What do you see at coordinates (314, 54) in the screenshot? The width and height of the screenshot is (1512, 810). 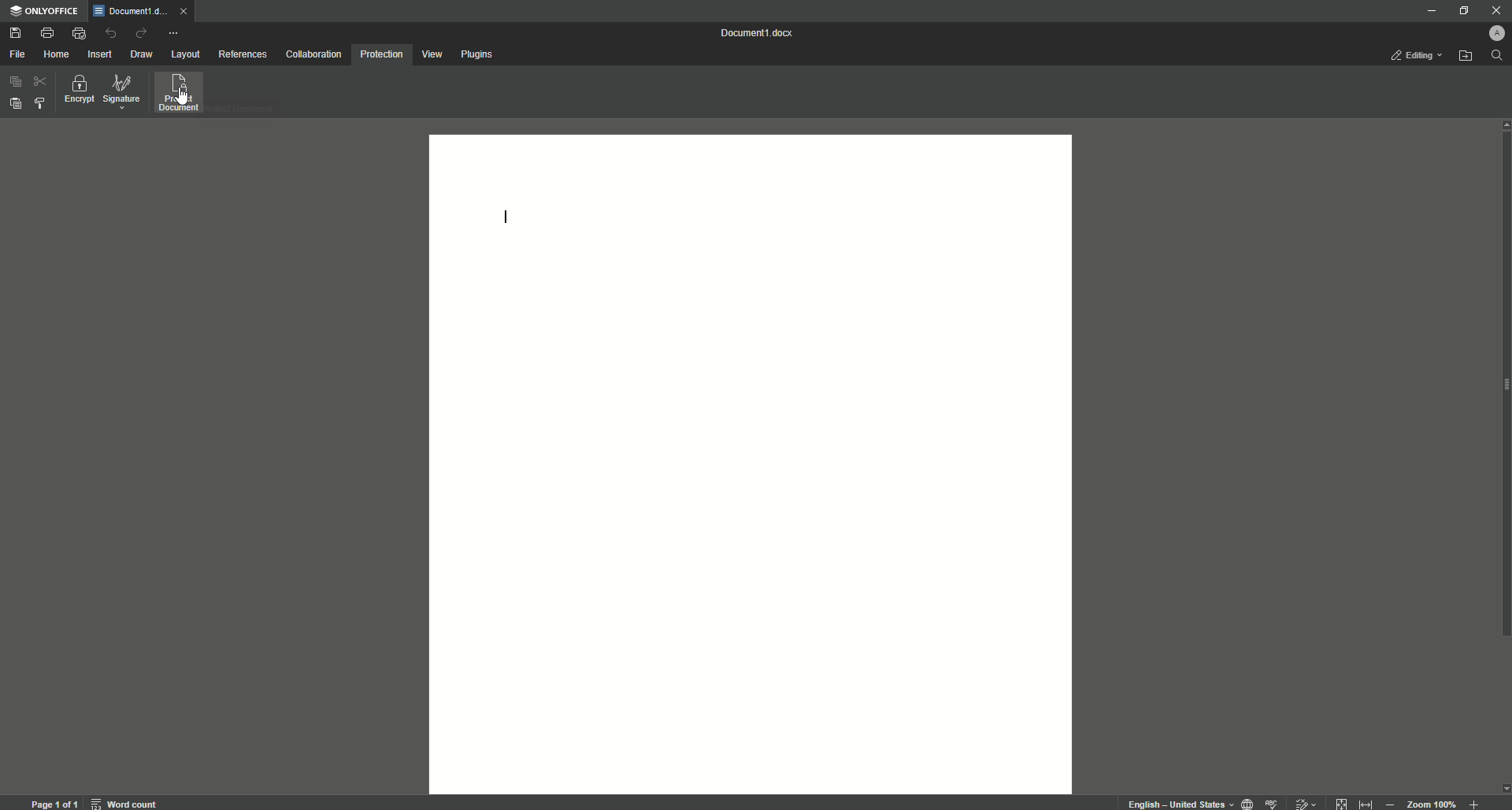 I see `Collaboration` at bounding box center [314, 54].